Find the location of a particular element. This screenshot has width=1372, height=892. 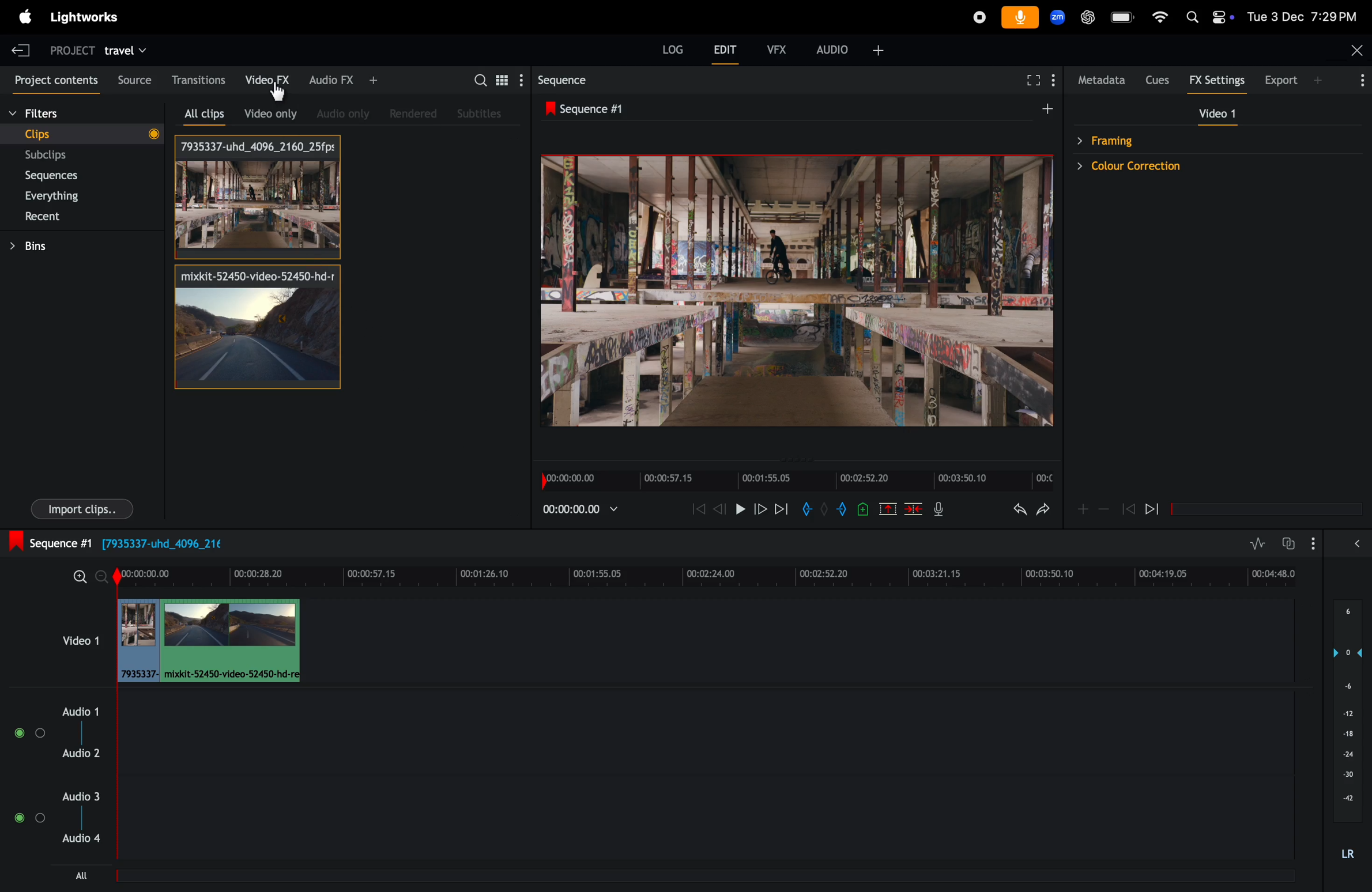

travel is located at coordinates (133, 49).